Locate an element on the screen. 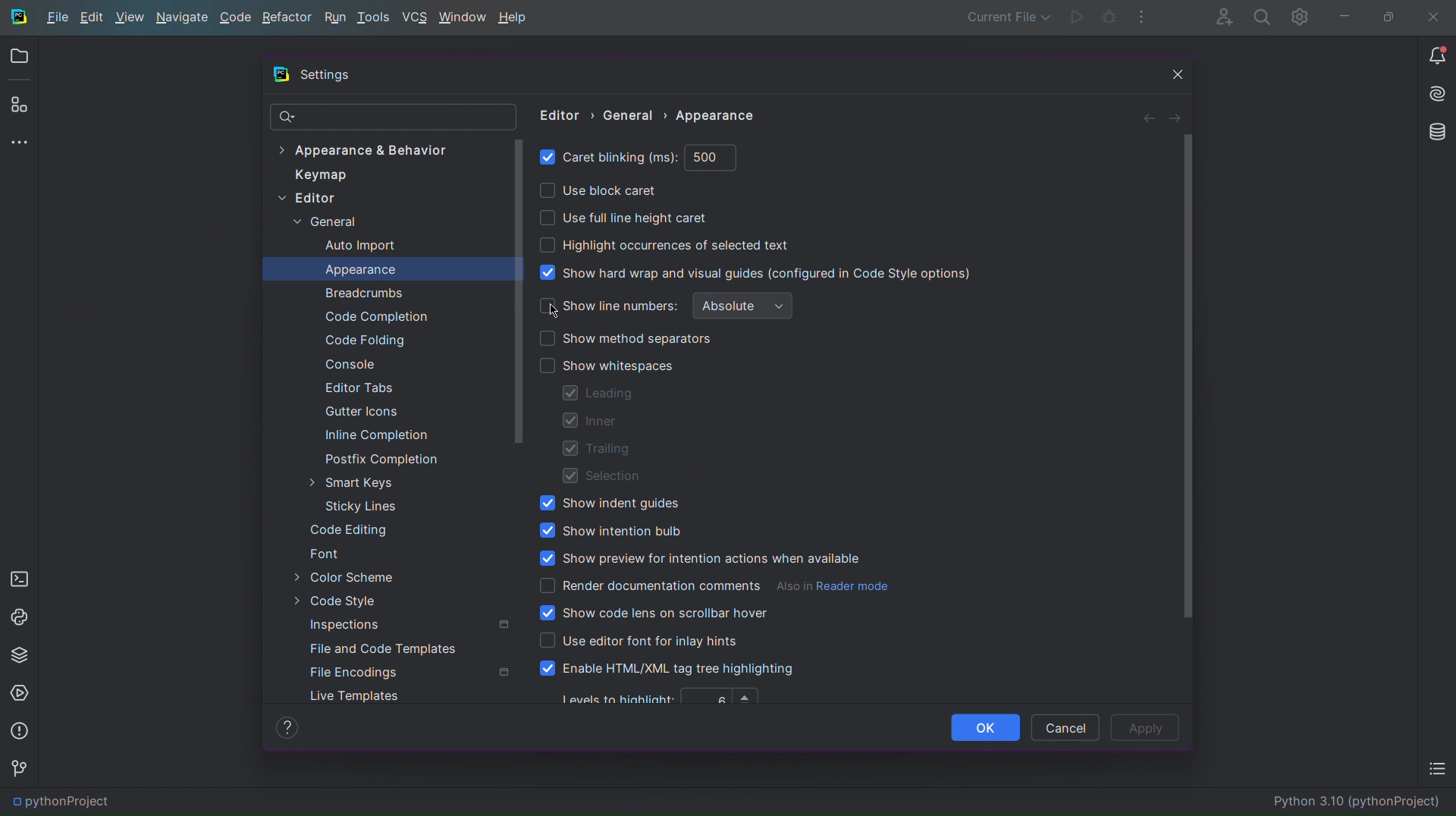 This screenshot has width=1456, height=816. Notifications is located at coordinates (1435, 55).